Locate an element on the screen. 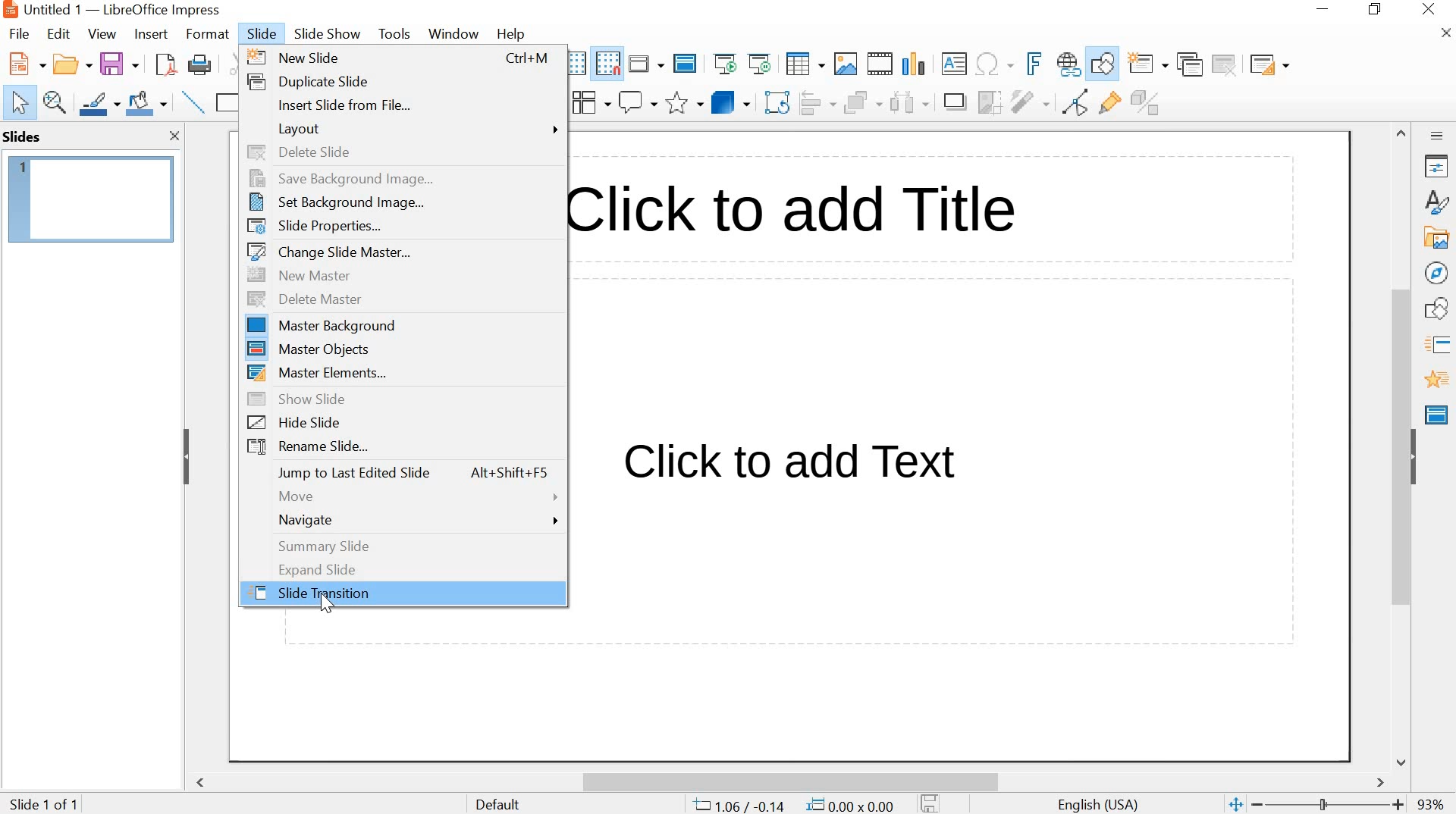 The width and height of the screenshot is (1456, 814). Insert hyperlink is located at coordinates (1068, 65).